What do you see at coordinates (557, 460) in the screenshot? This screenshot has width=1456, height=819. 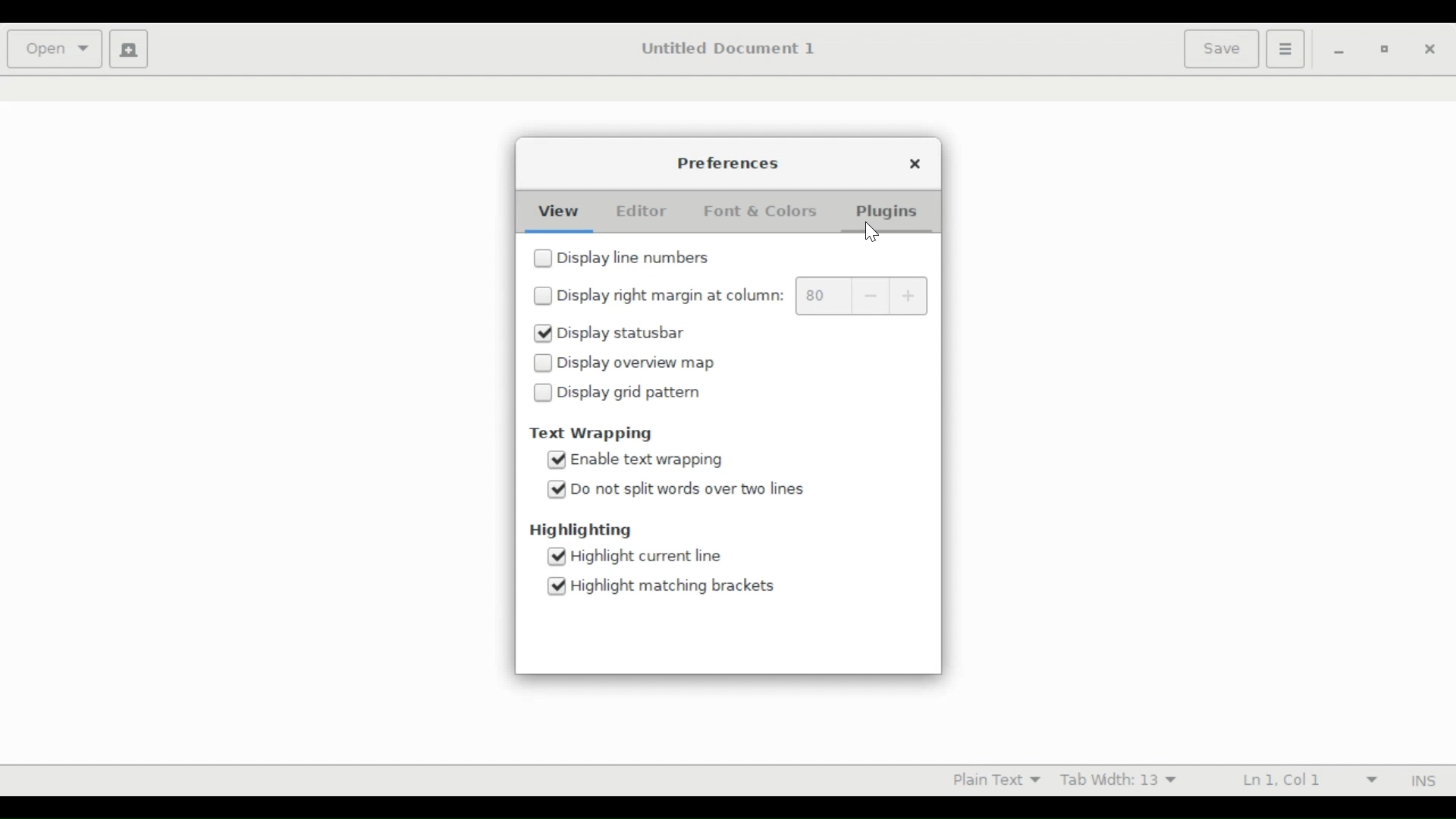 I see `Selected` at bounding box center [557, 460].